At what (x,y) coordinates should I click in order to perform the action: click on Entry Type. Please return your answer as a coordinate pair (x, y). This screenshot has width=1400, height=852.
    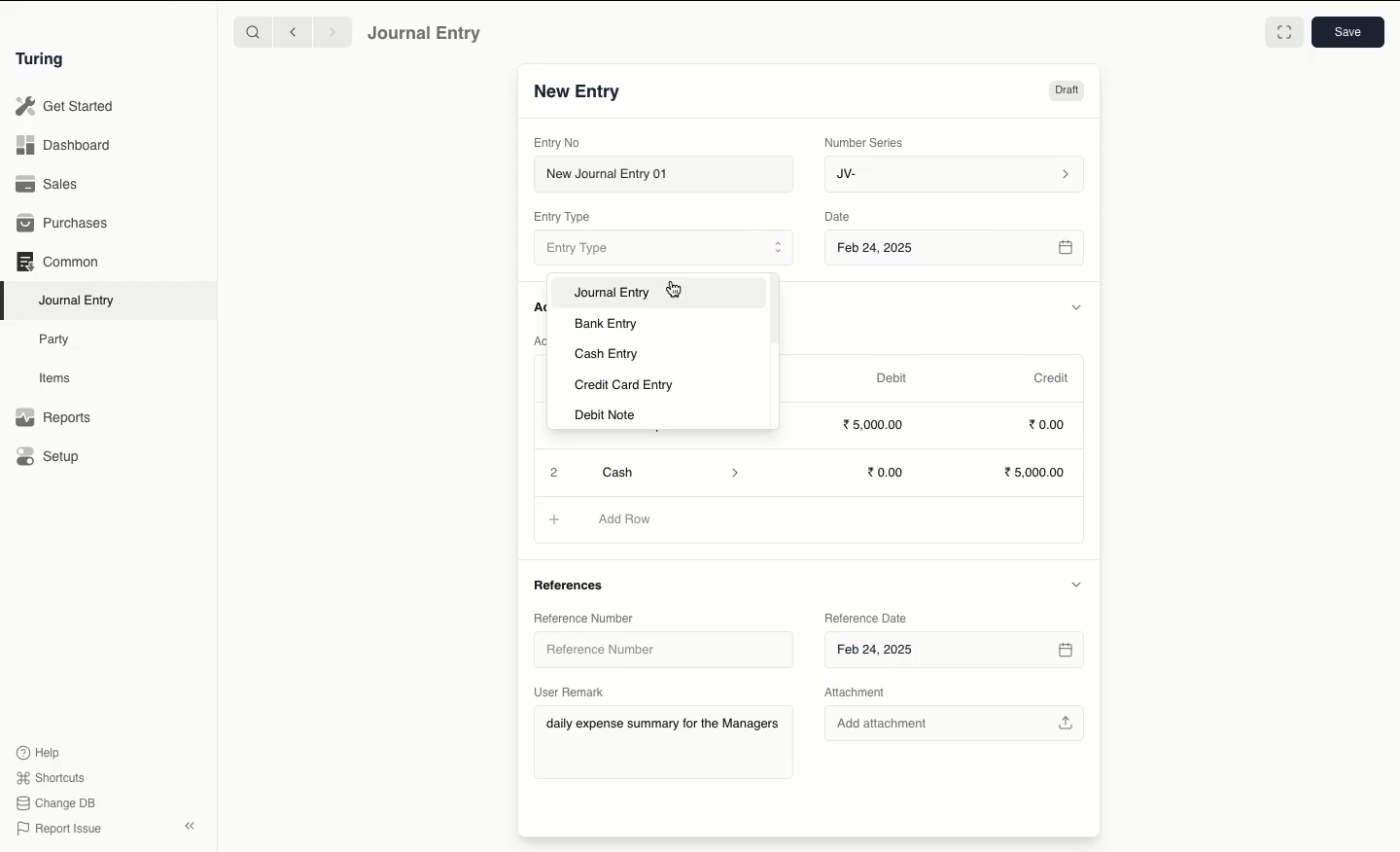
    Looking at the image, I should click on (663, 247).